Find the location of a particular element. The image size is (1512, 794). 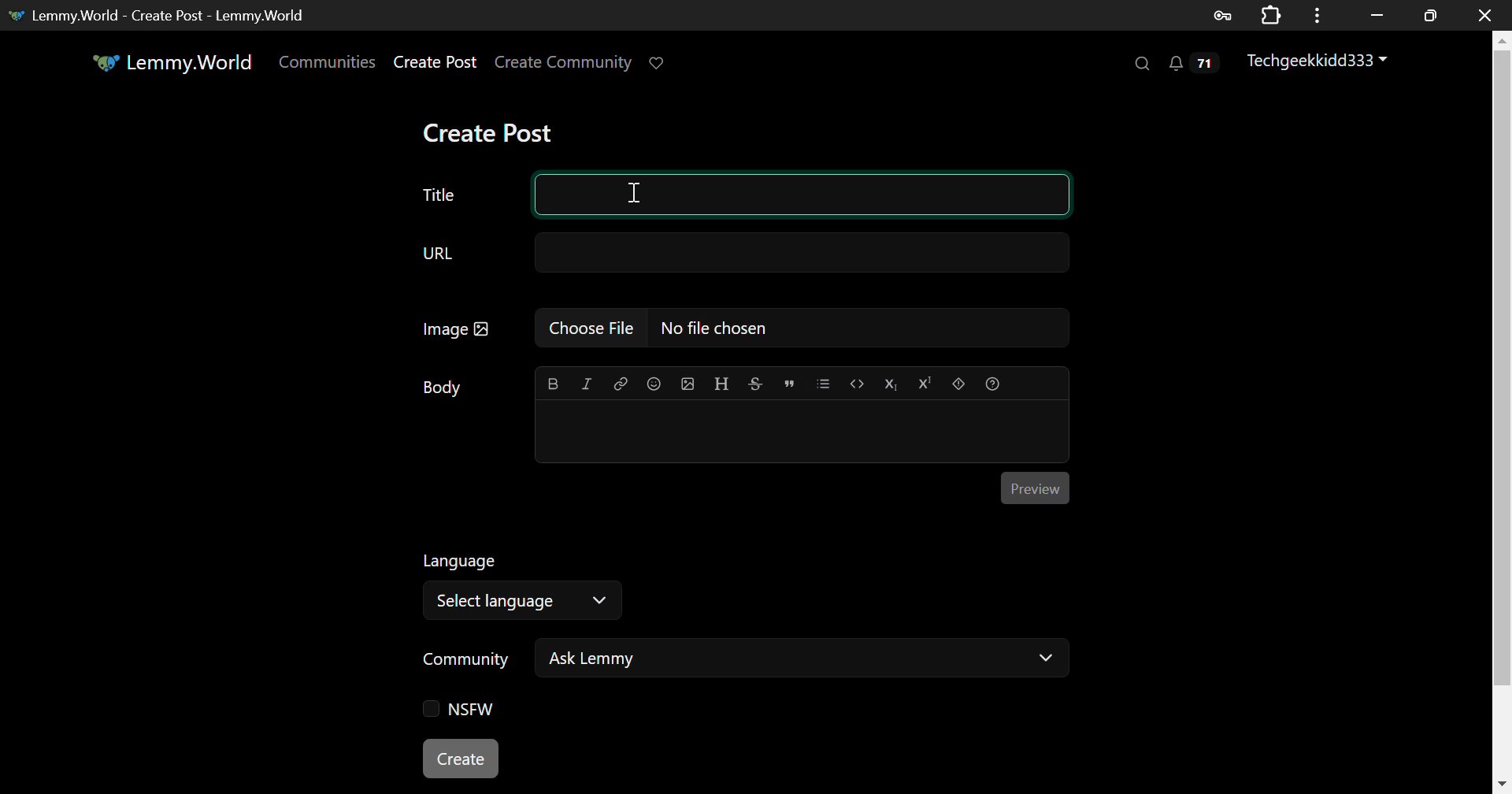

URL Field is located at coordinates (740, 255).